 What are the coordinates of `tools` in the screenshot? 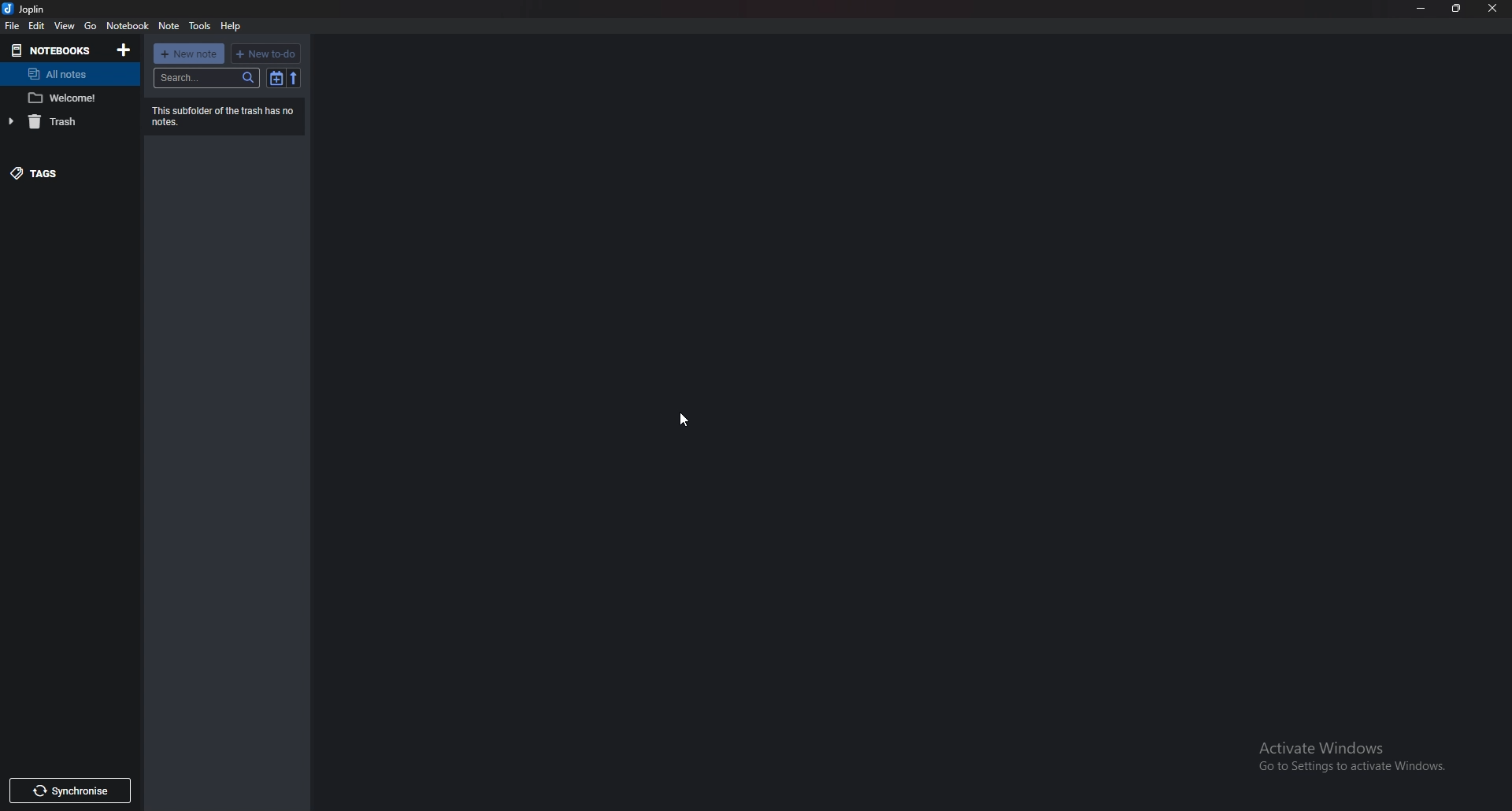 It's located at (201, 26).